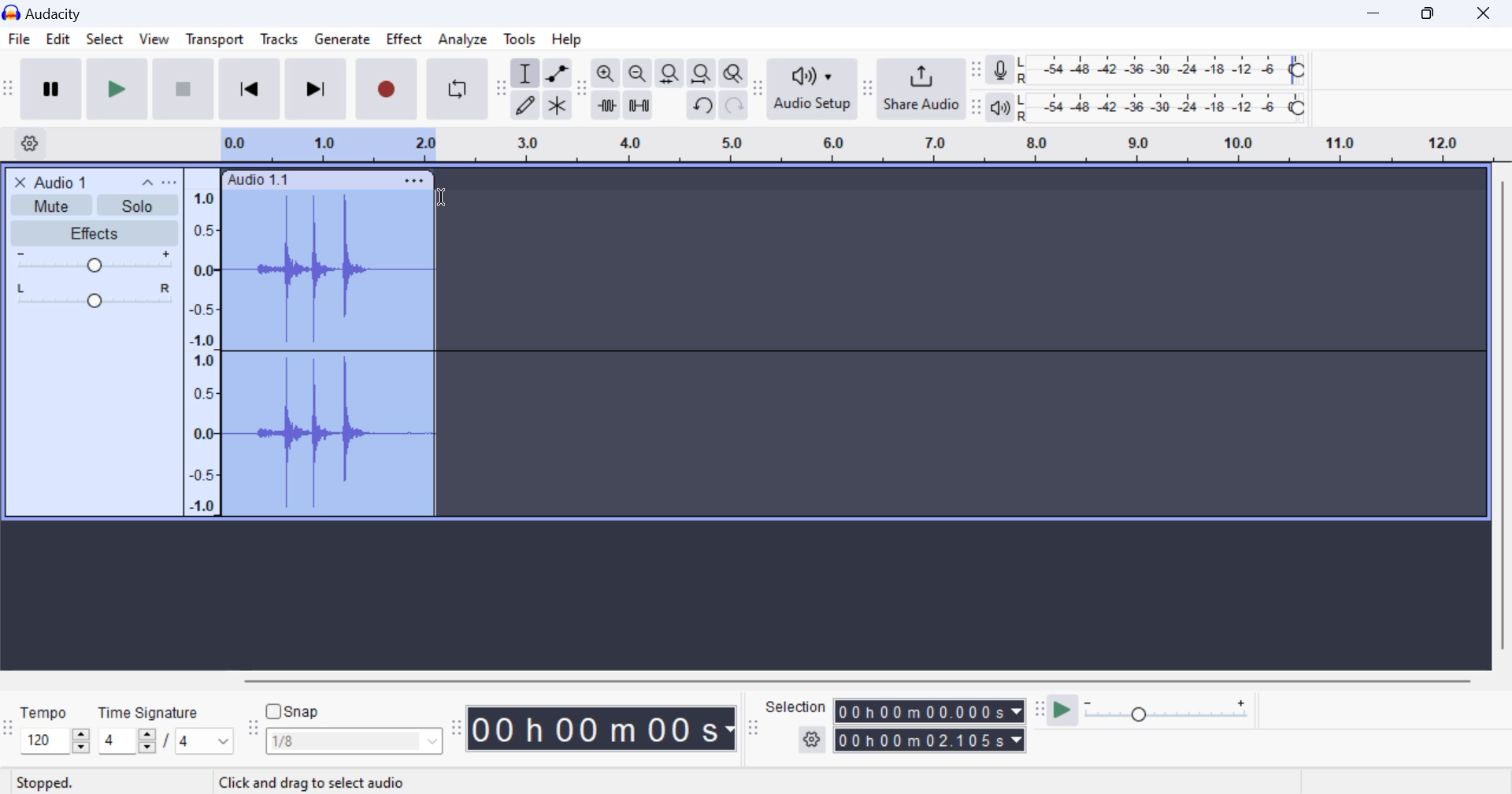 The height and width of the screenshot is (794, 1512). What do you see at coordinates (521, 38) in the screenshot?
I see `Tools` at bounding box center [521, 38].